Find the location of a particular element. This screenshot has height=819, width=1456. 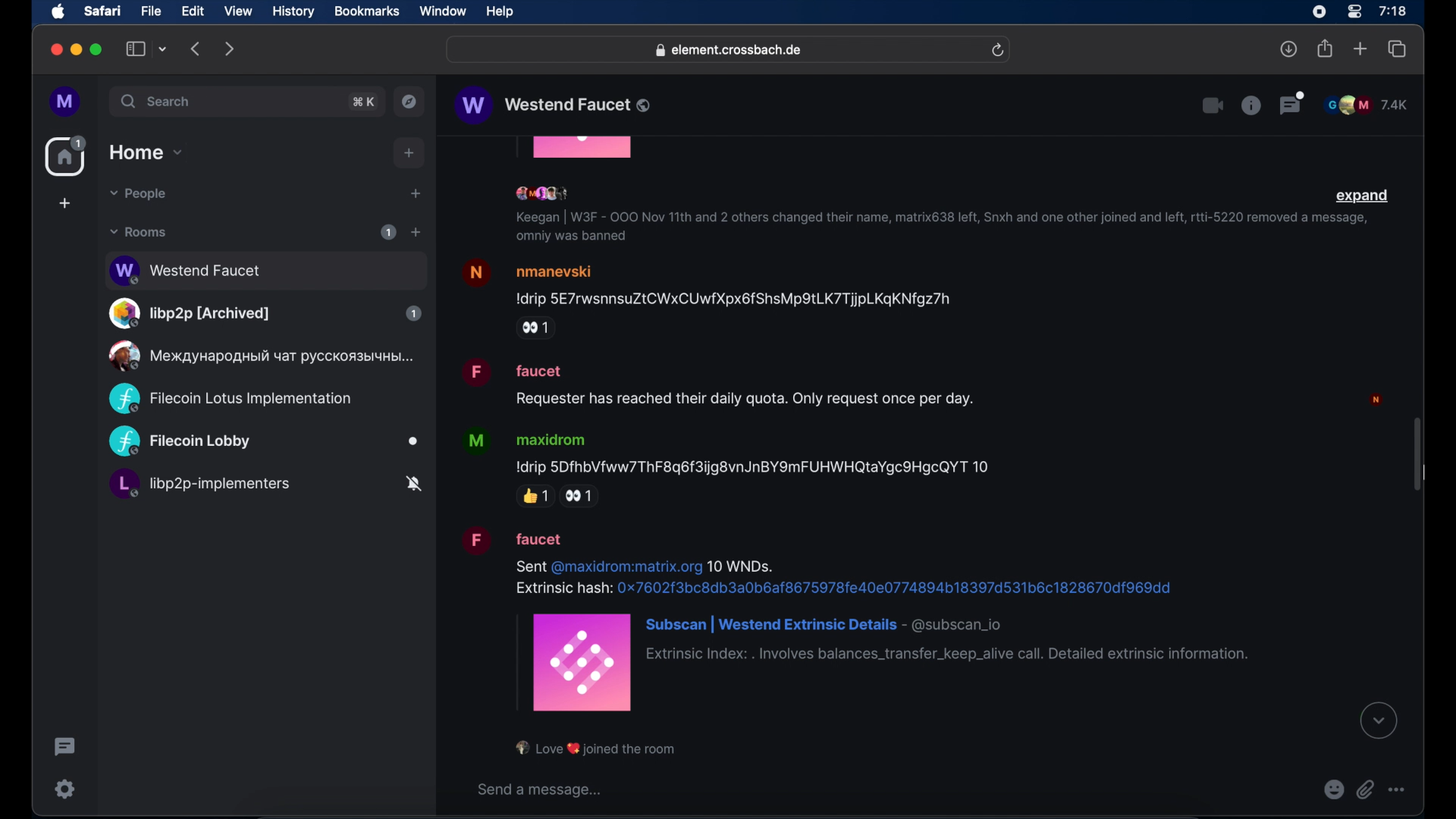

screen recorder icon is located at coordinates (1319, 12).